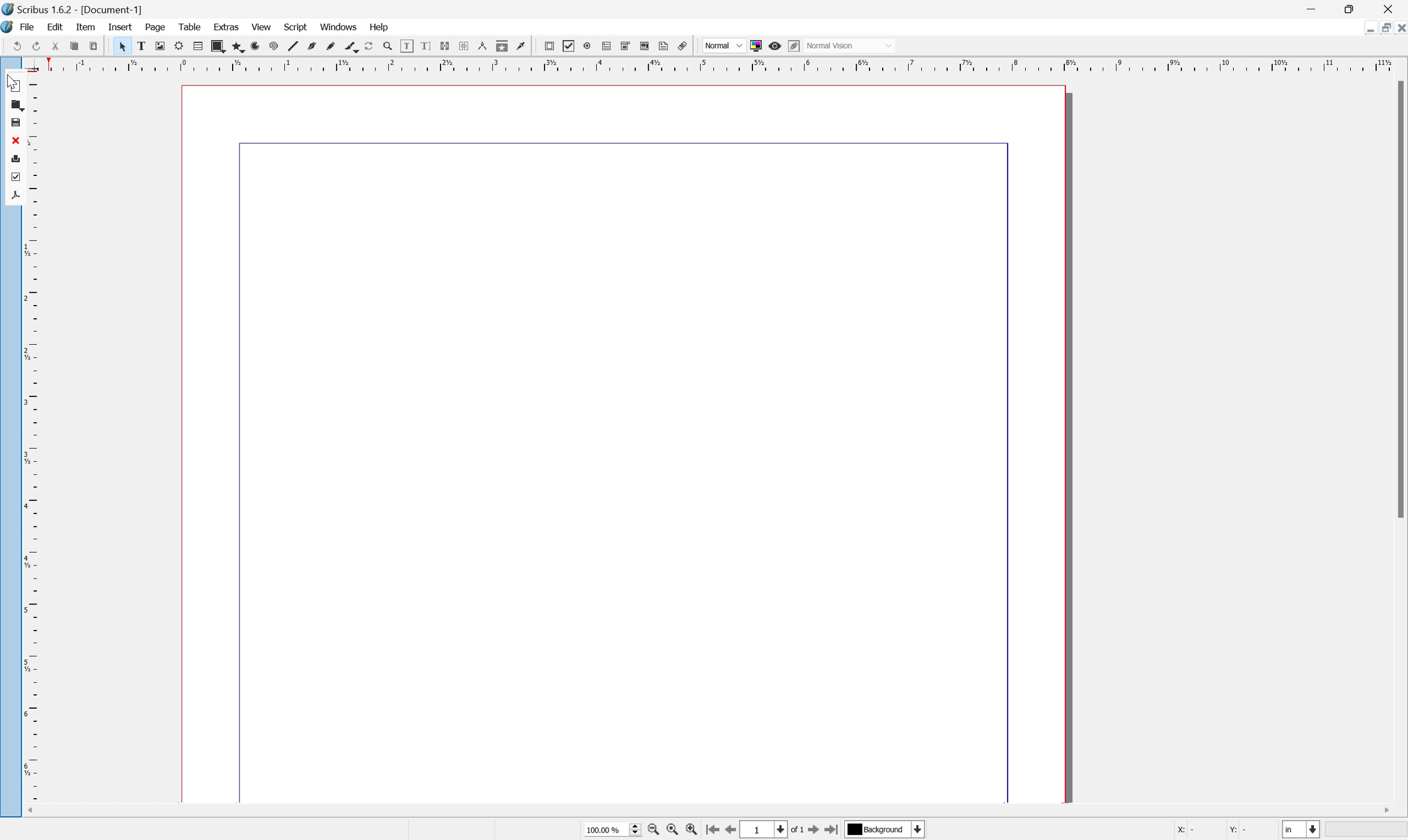  What do you see at coordinates (682, 45) in the screenshot?
I see `pdf push button` at bounding box center [682, 45].